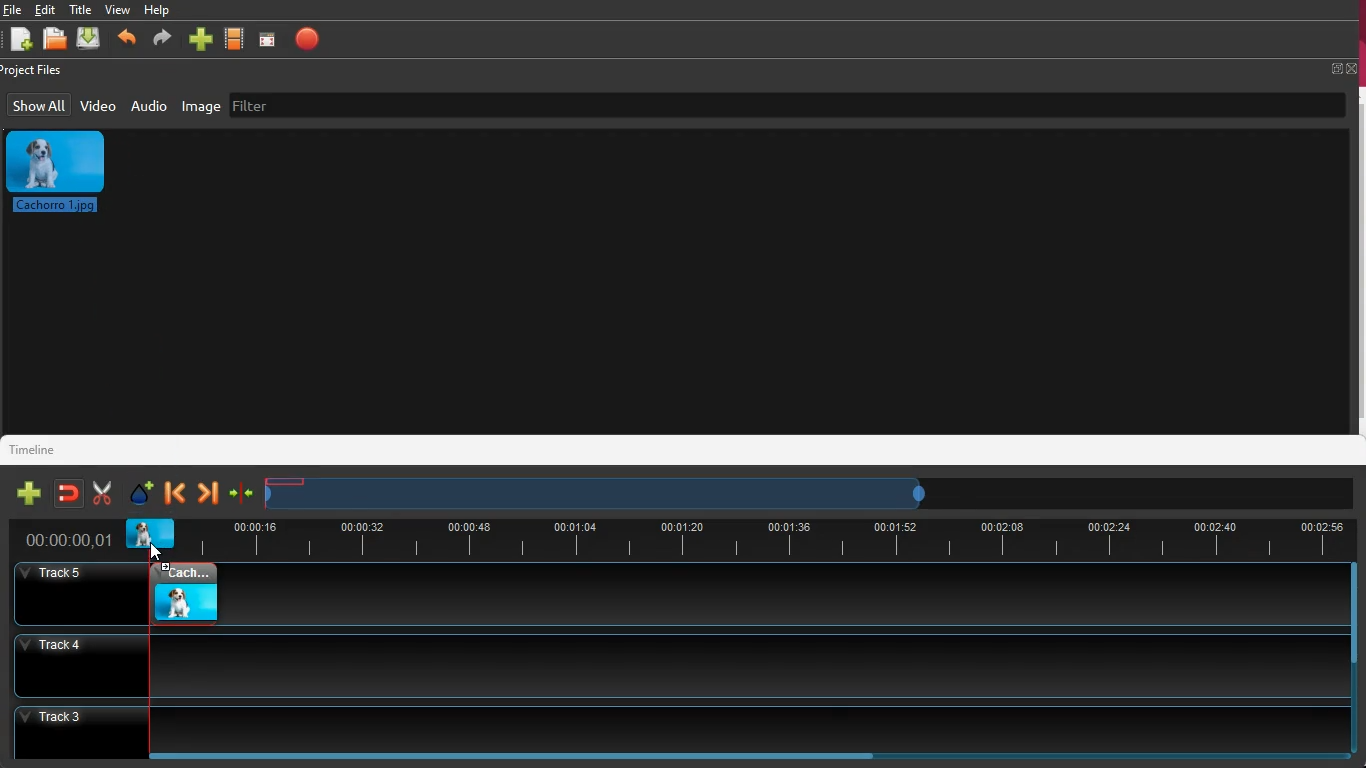  What do you see at coordinates (96, 108) in the screenshot?
I see `video` at bounding box center [96, 108].